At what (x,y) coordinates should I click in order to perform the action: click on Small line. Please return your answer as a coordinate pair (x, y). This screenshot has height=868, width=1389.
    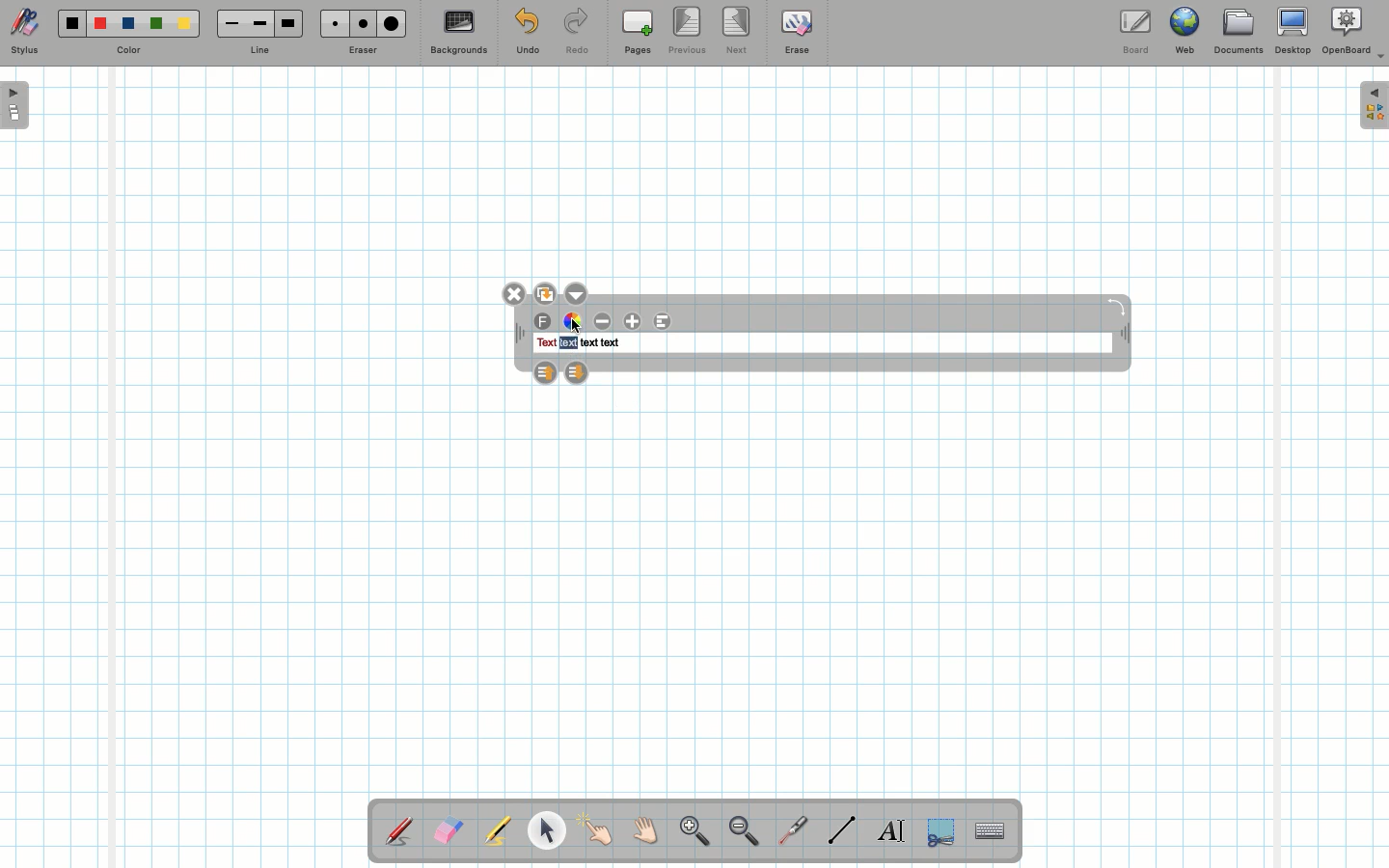
    Looking at the image, I should click on (229, 24).